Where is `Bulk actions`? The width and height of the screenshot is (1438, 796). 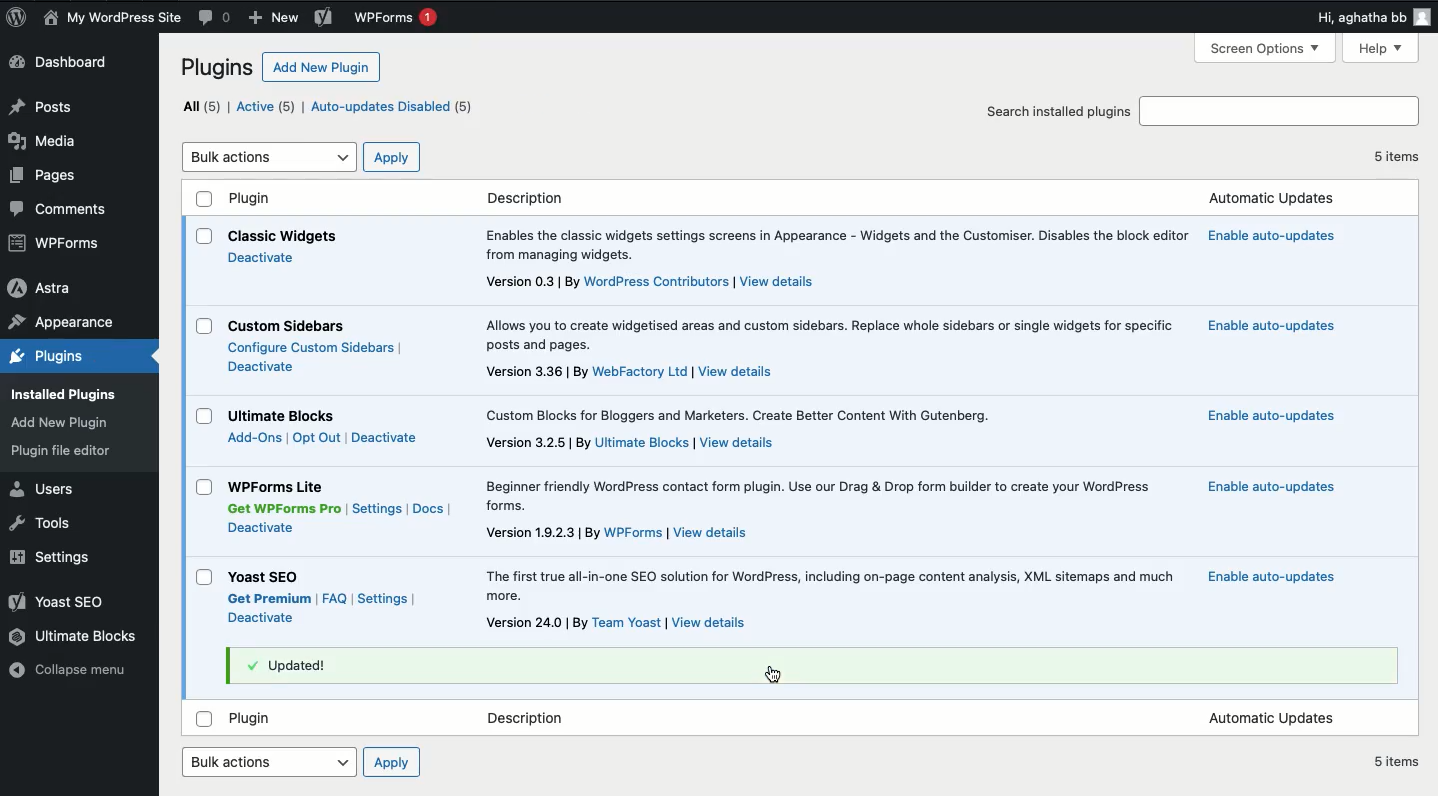
Bulk actions is located at coordinates (271, 762).